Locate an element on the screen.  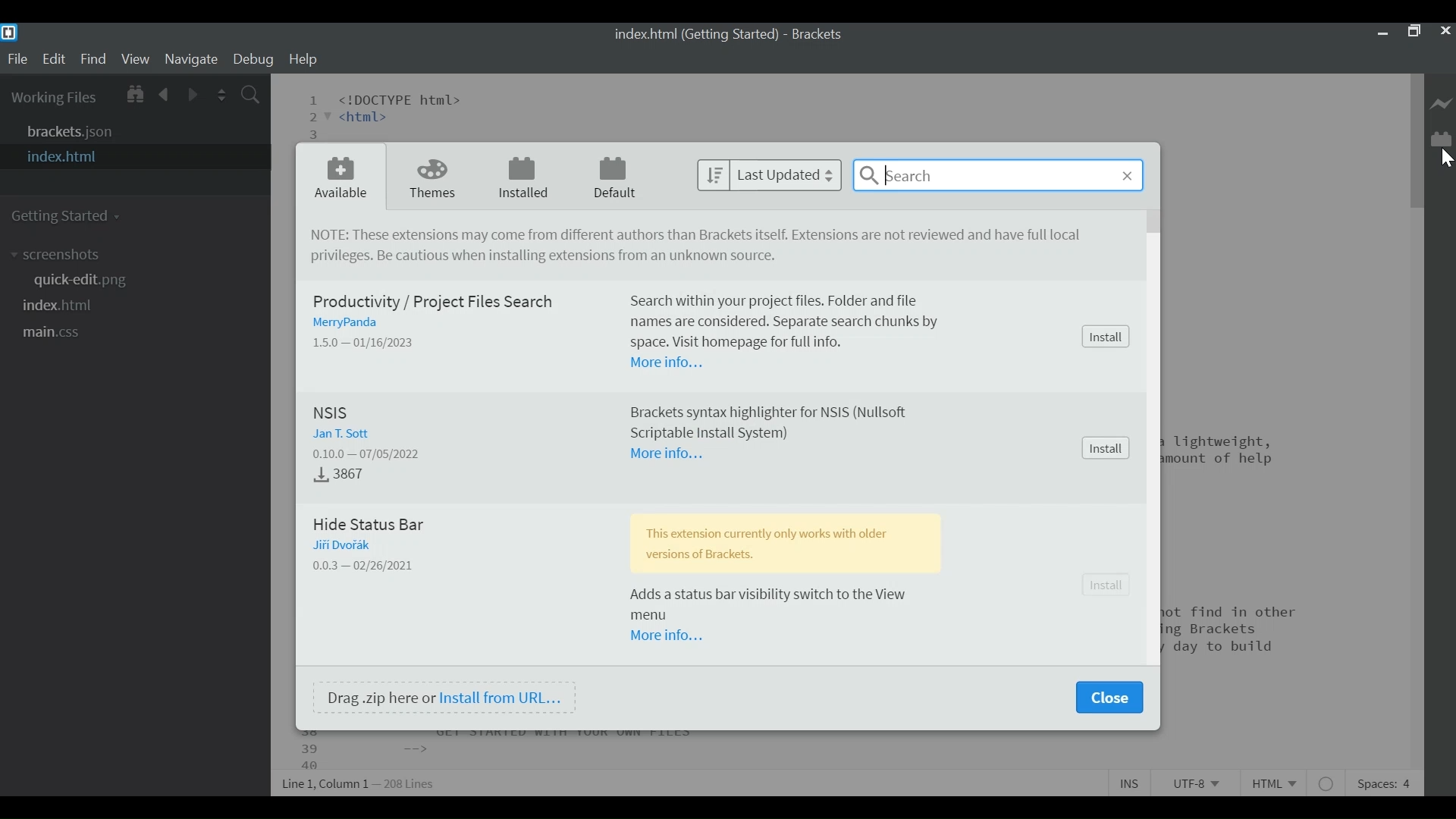
Brackets syntax highlighter is located at coordinates (788, 421).